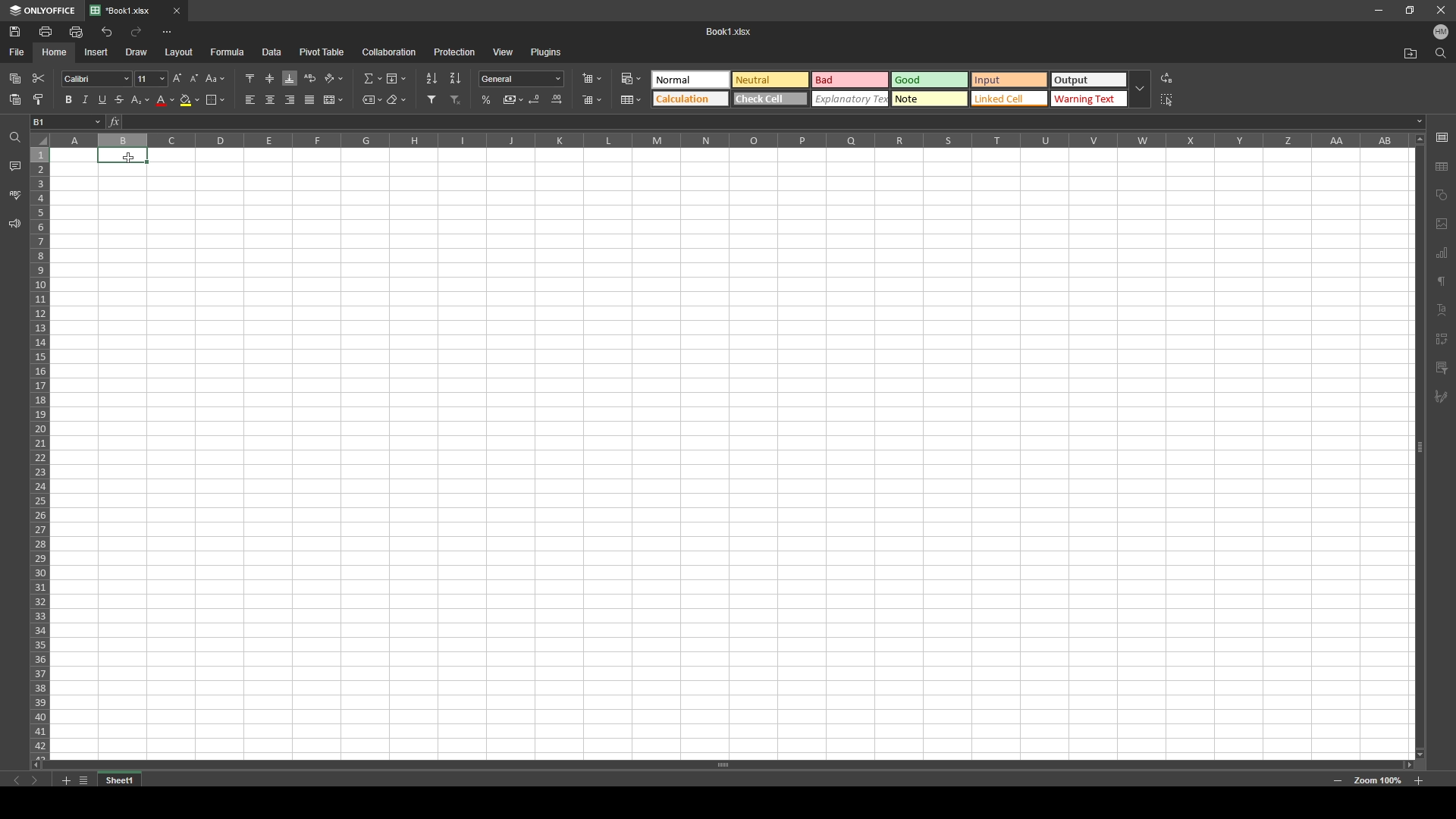 Image resolution: width=1456 pixels, height=819 pixels. Describe the element at coordinates (97, 79) in the screenshot. I see `font style` at that location.